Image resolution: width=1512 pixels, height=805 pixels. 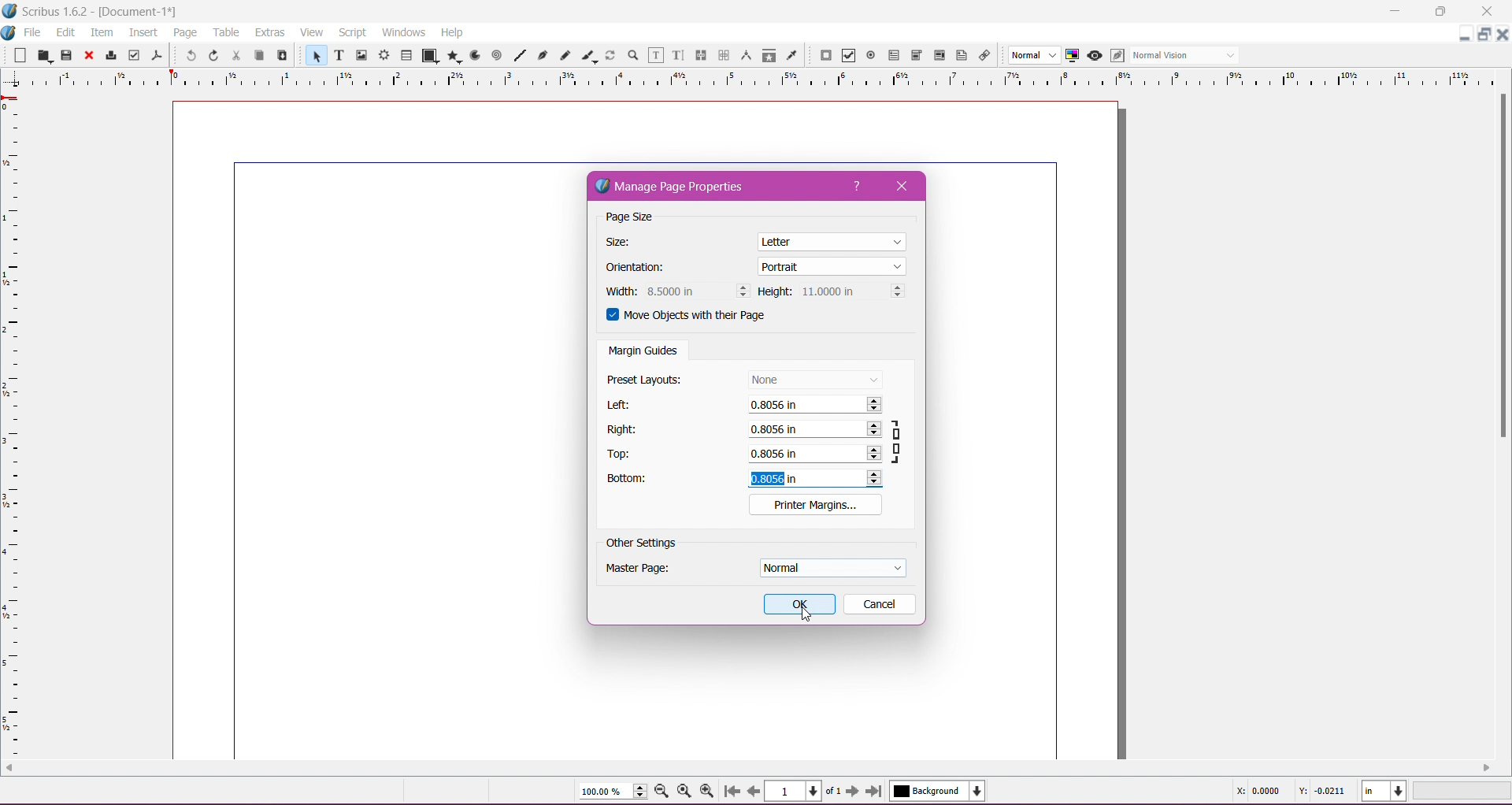 I want to click on PDF Push Button, so click(x=825, y=56).